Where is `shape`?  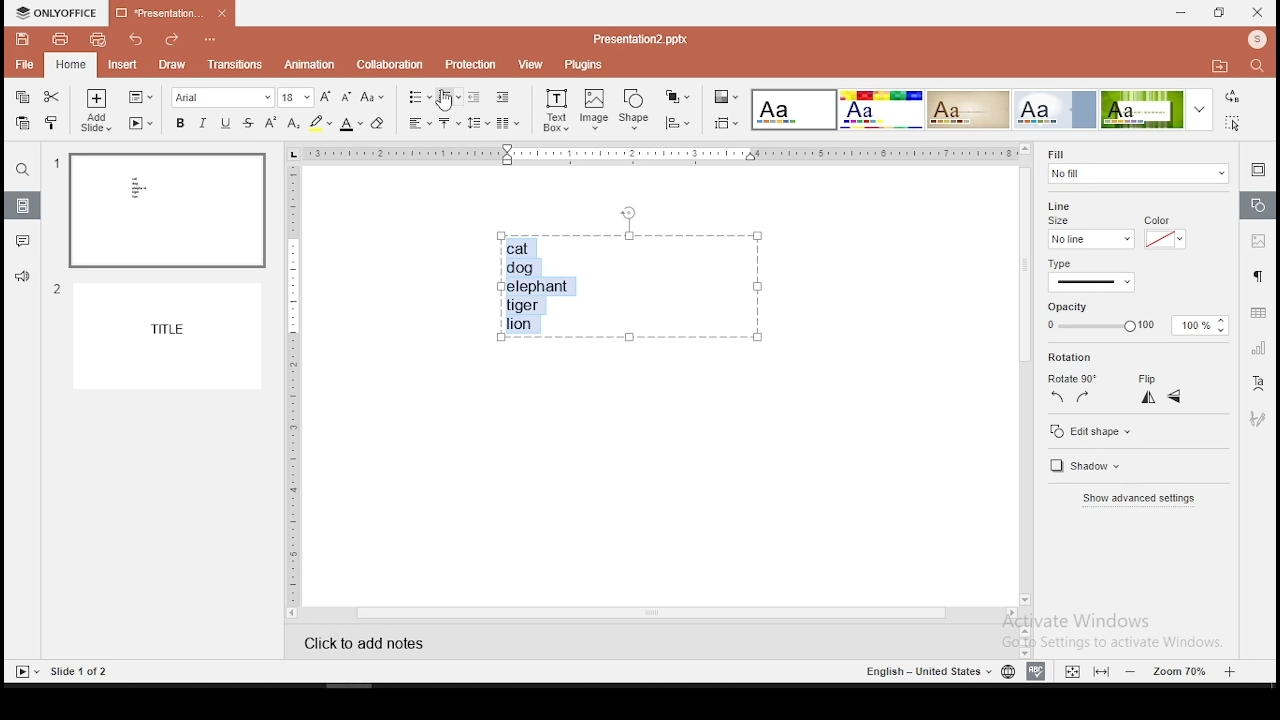
shape is located at coordinates (635, 110).